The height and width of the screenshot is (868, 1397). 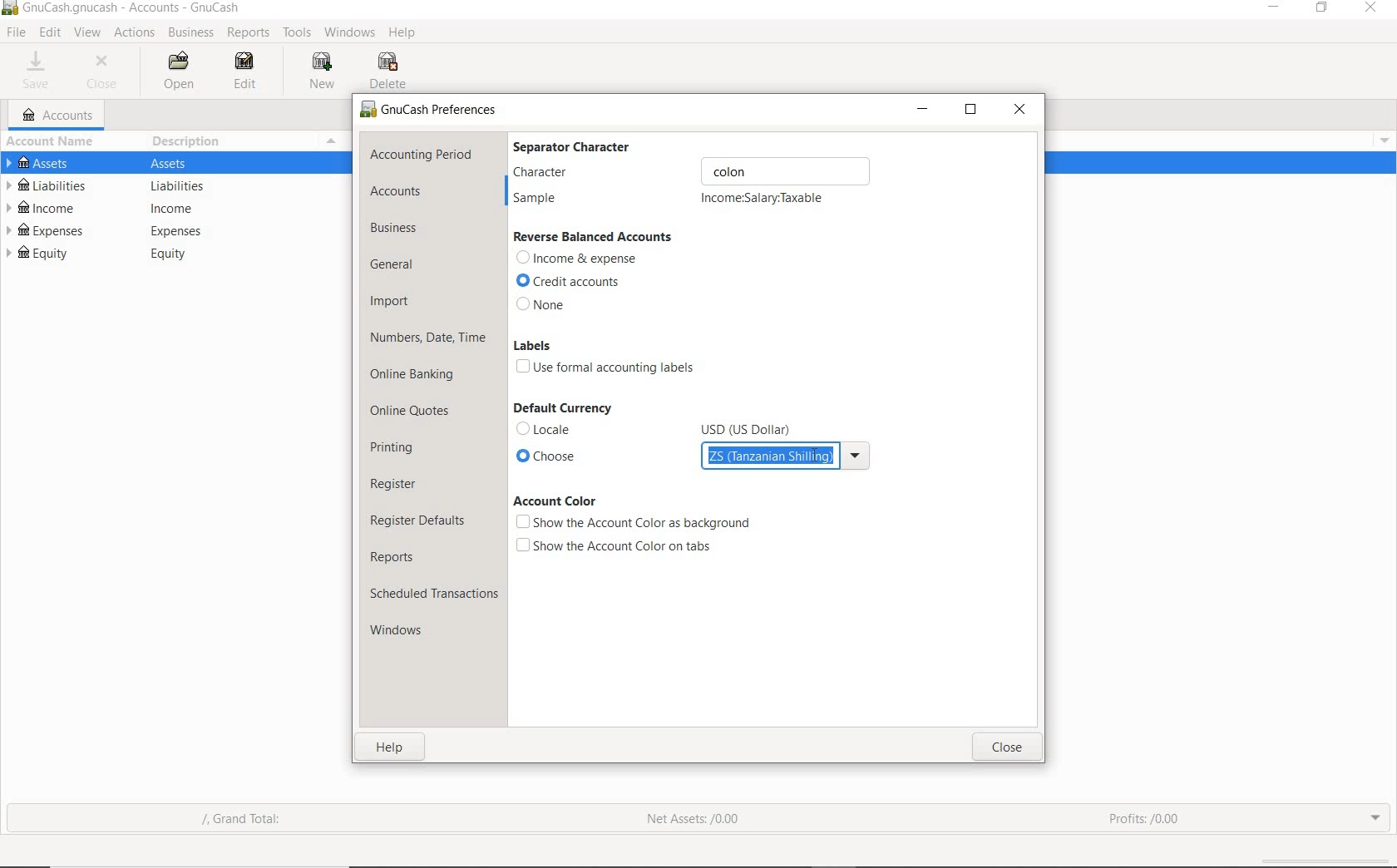 I want to click on expand, so click(x=1376, y=818).